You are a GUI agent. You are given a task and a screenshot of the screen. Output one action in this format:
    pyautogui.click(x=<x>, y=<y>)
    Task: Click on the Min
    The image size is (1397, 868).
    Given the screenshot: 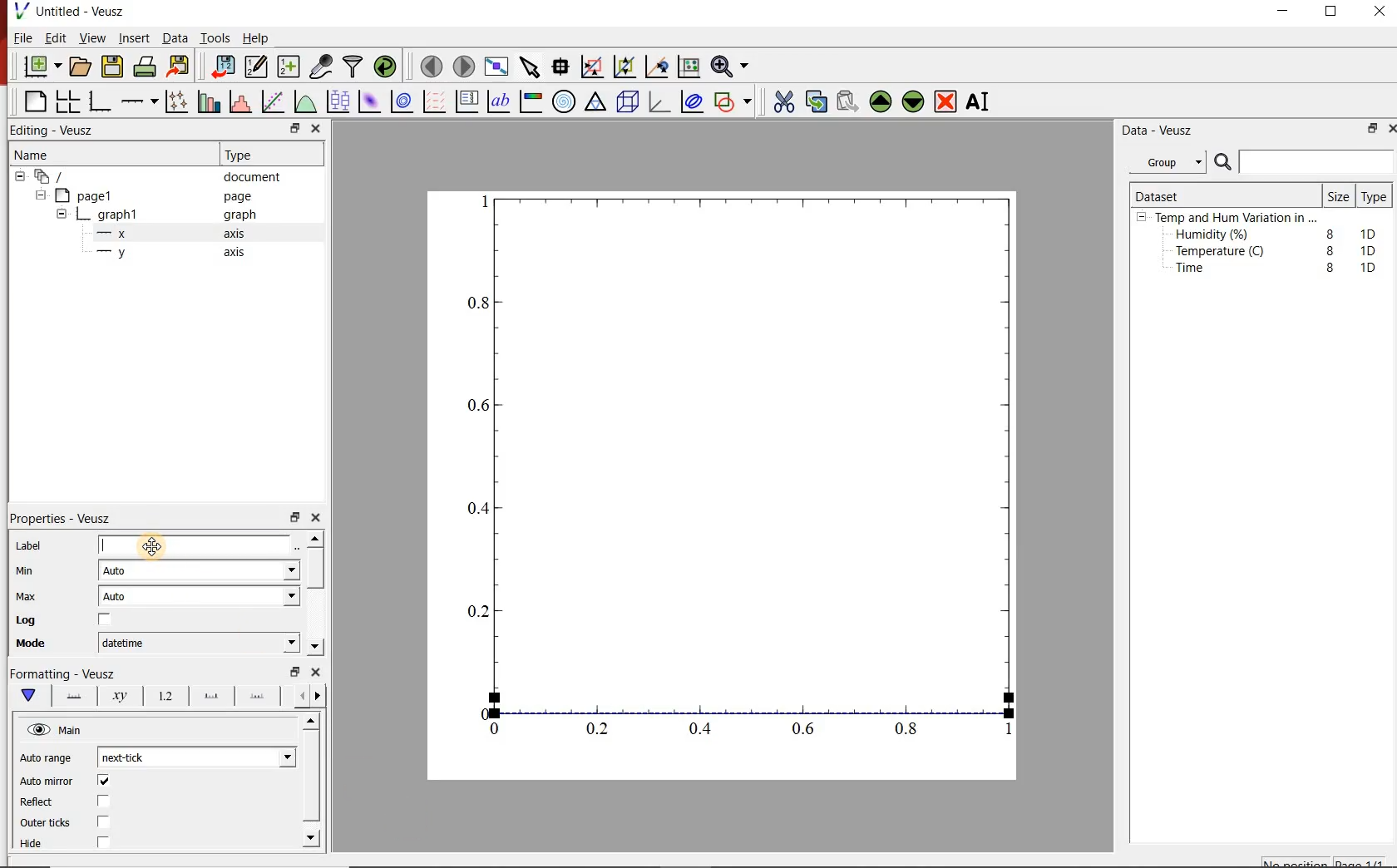 What is the action you would take?
    pyautogui.click(x=37, y=570)
    